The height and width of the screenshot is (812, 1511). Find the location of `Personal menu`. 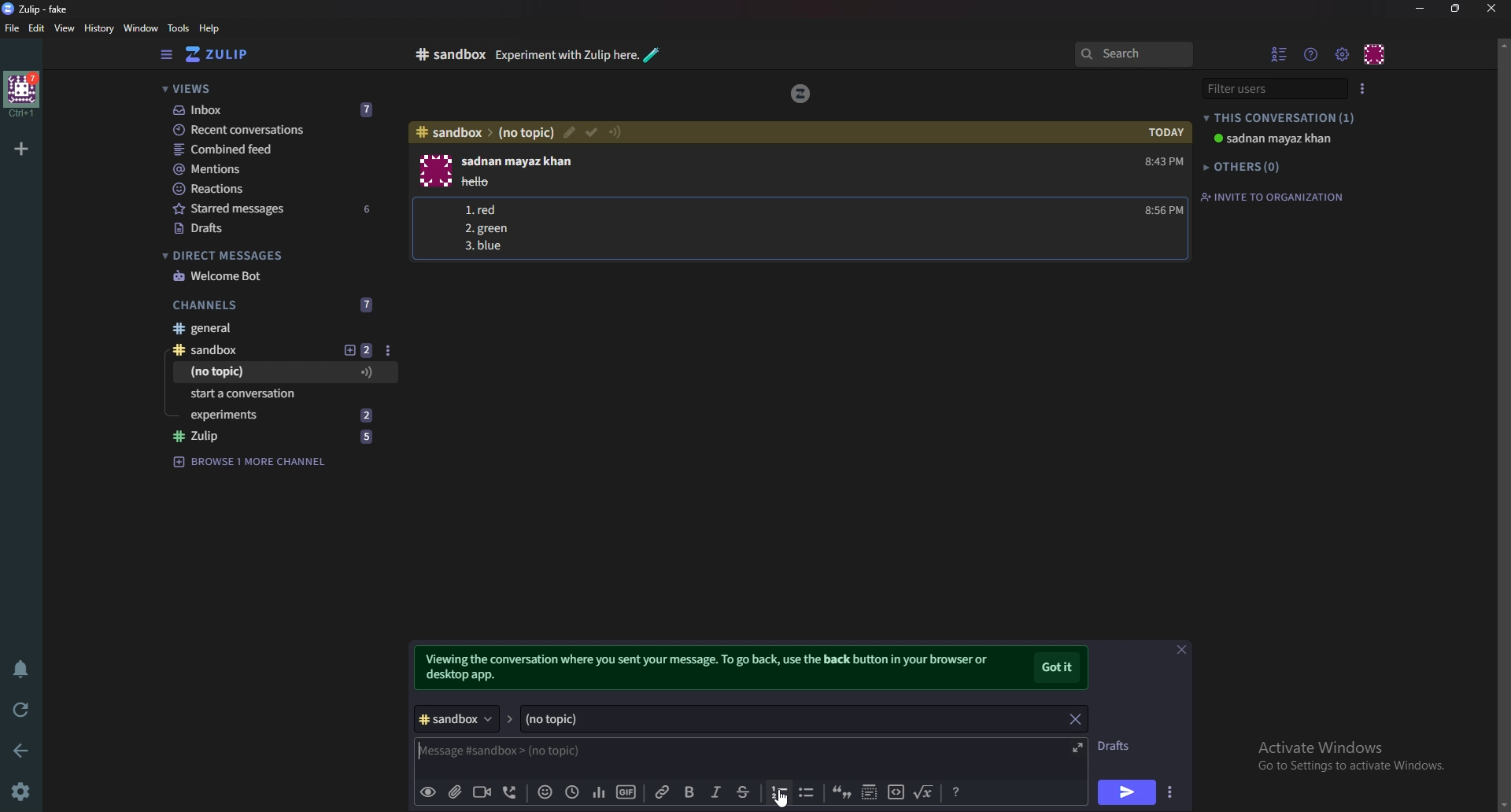

Personal menu is located at coordinates (1376, 53).